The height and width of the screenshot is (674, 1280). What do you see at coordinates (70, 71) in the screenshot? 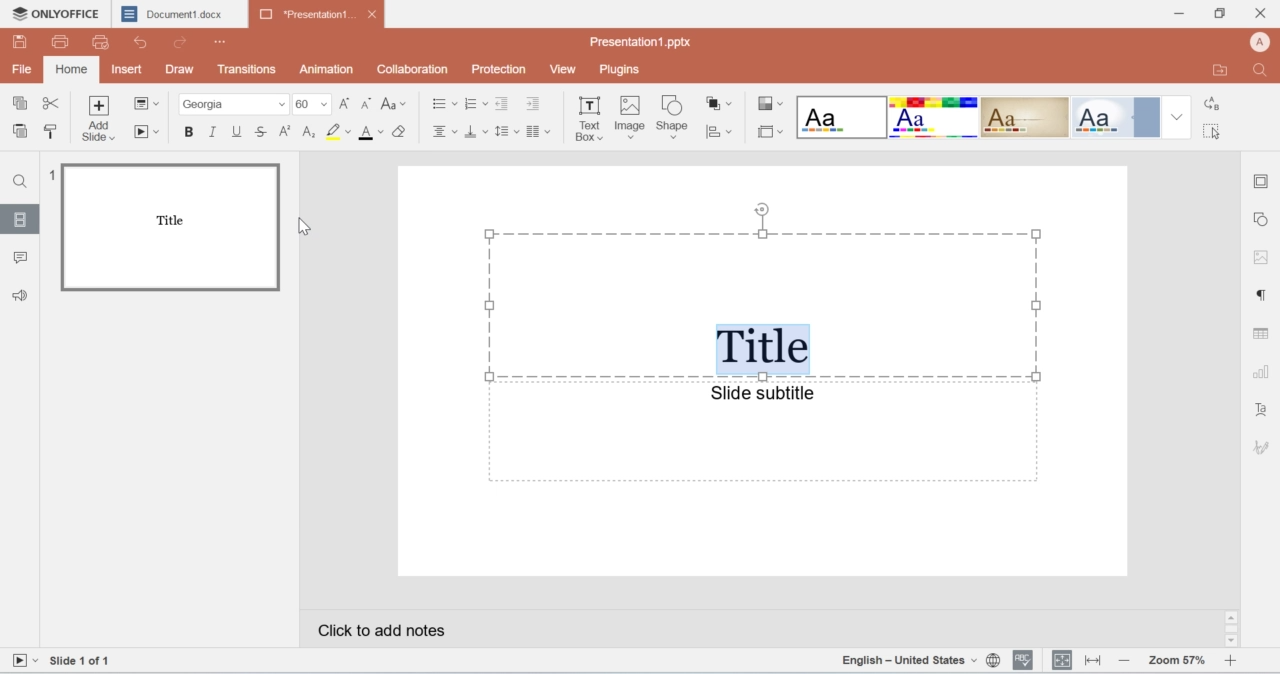
I see `home` at bounding box center [70, 71].